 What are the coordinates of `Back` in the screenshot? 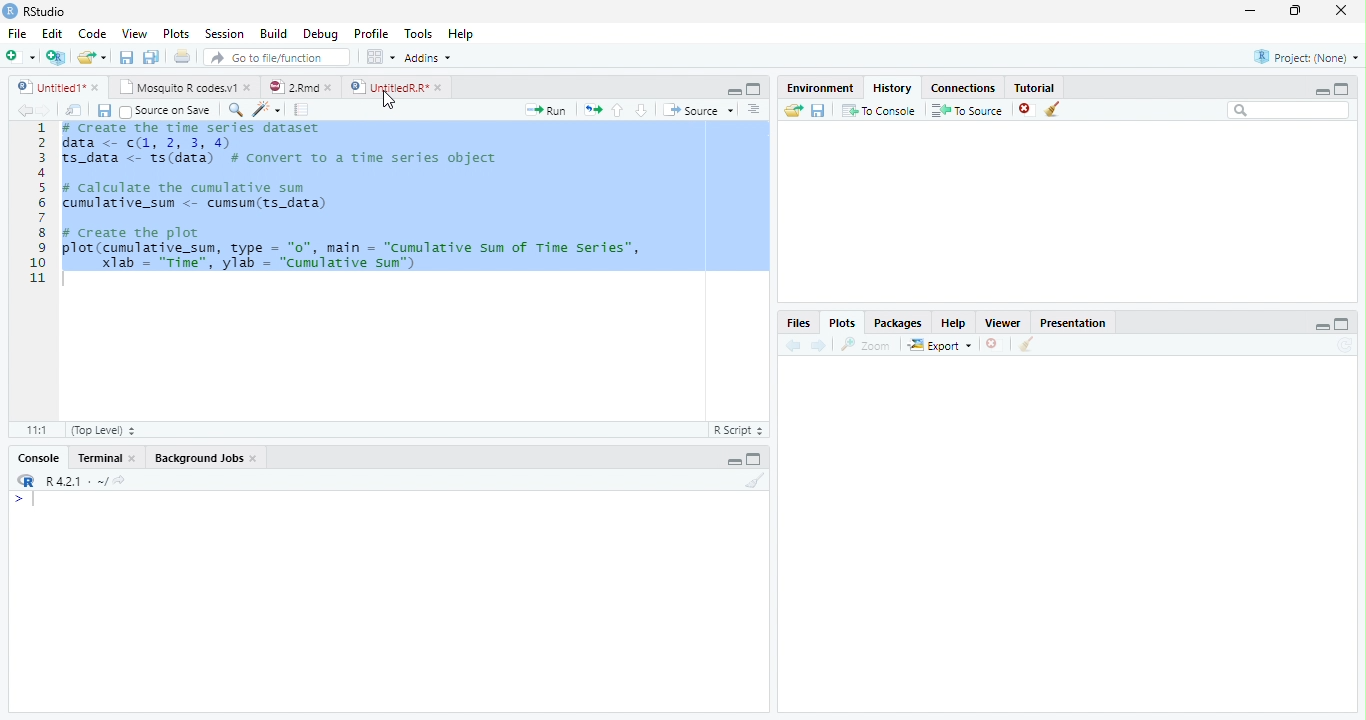 It's located at (791, 346).